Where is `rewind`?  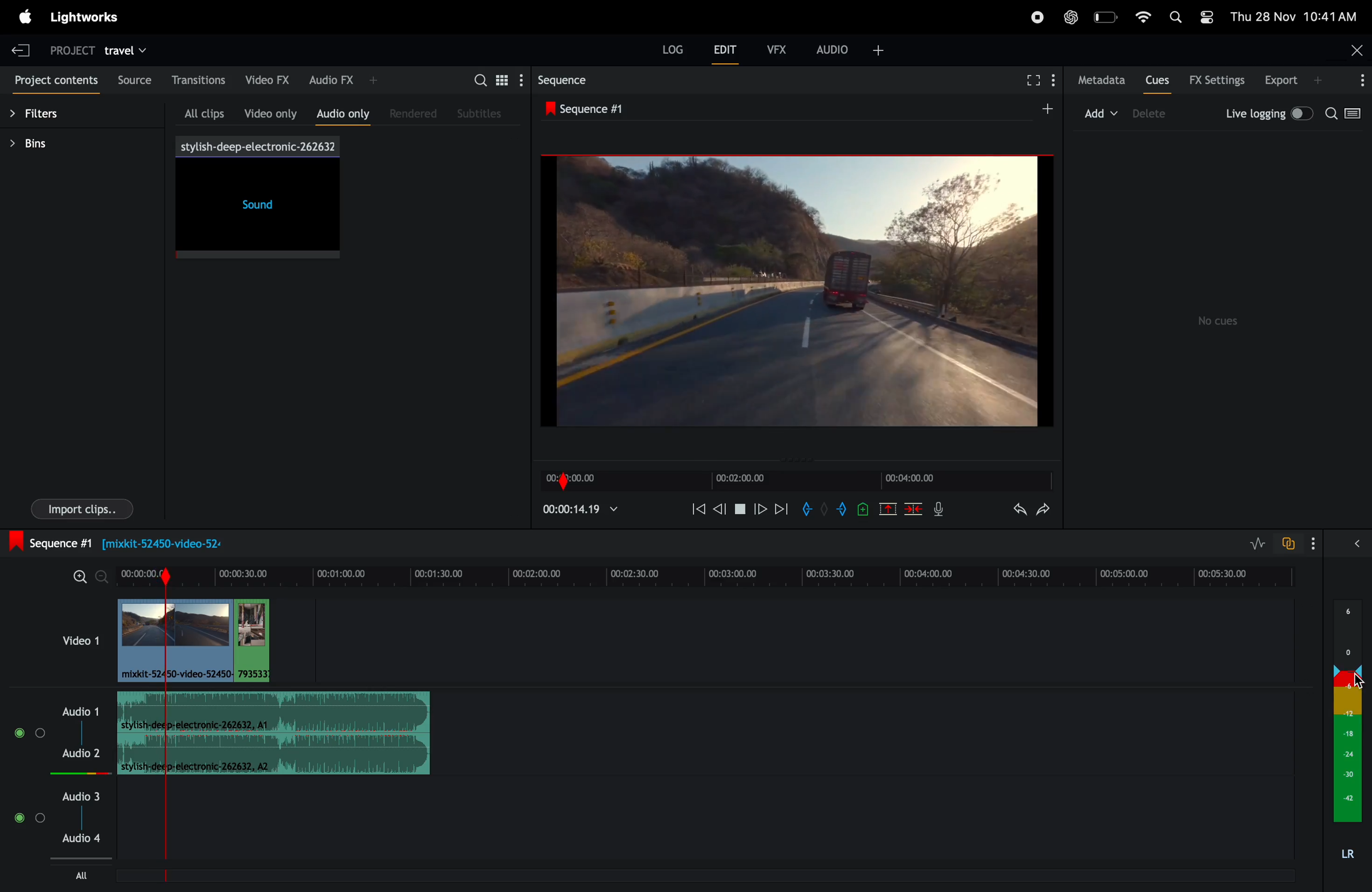 rewind is located at coordinates (696, 508).